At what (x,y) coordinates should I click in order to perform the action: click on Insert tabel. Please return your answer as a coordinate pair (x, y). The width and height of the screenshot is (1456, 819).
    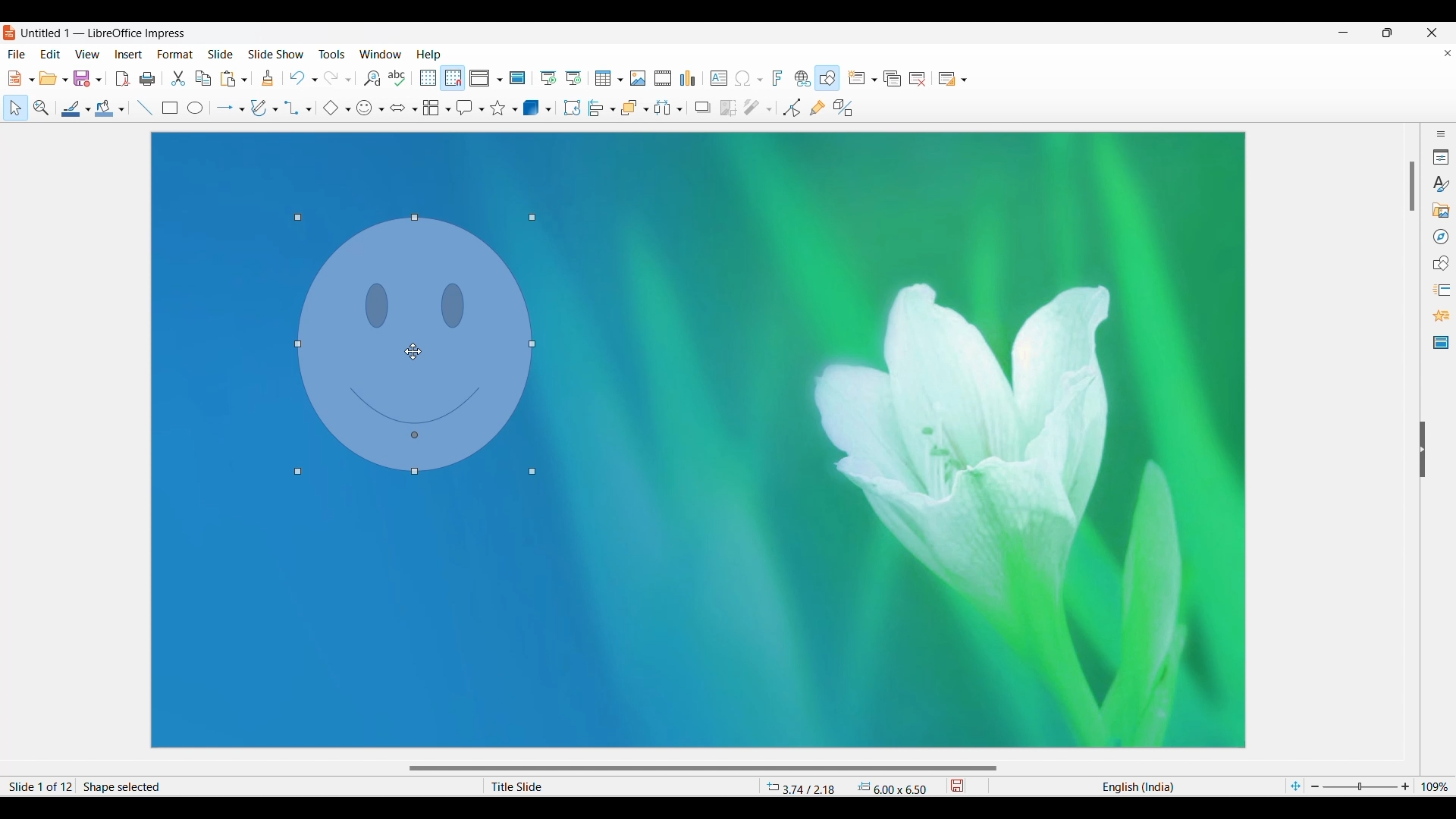
    Looking at the image, I should click on (609, 78).